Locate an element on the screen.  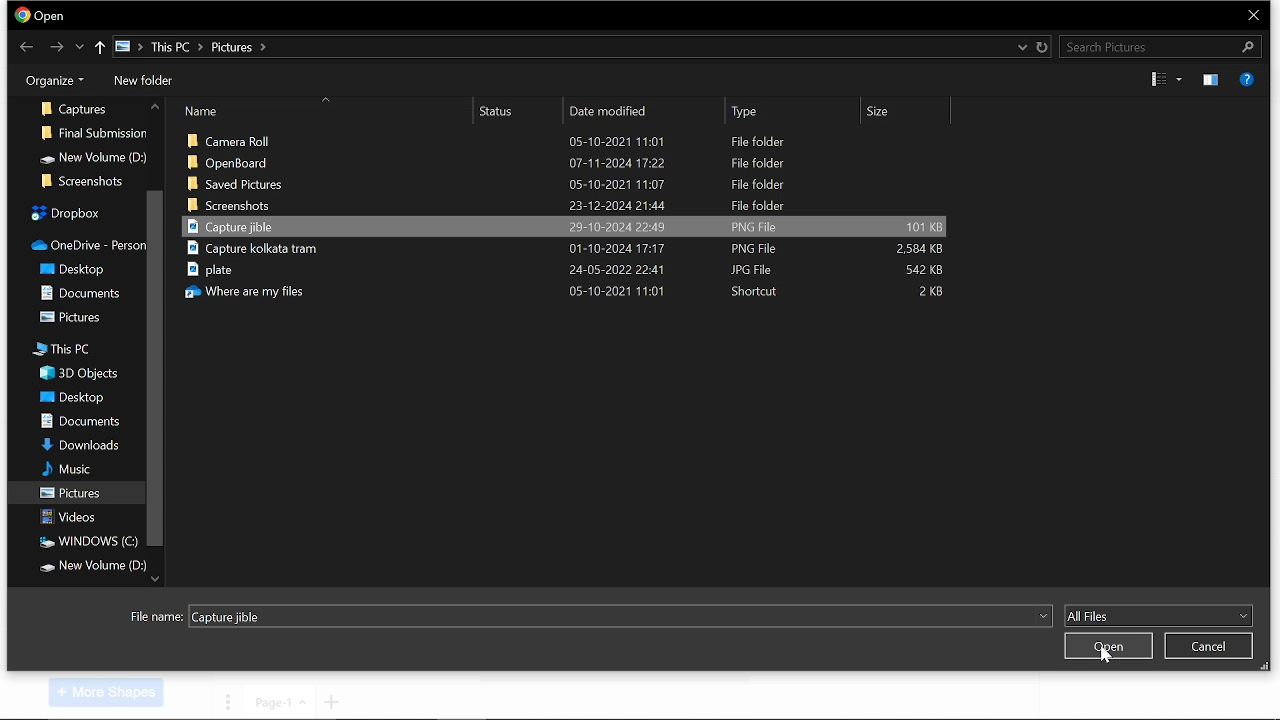
folders is located at coordinates (78, 422).